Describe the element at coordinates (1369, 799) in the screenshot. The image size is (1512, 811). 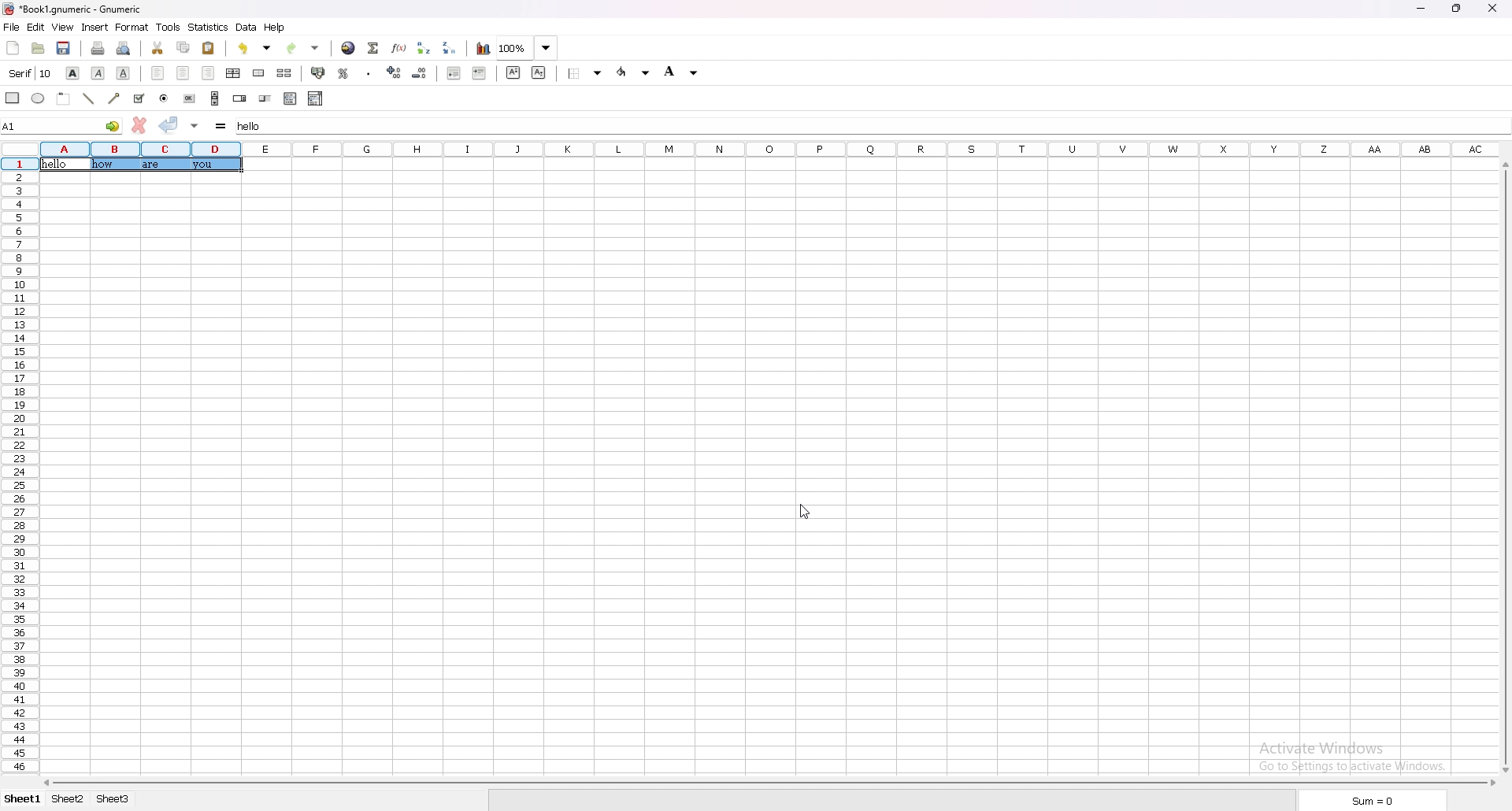
I see `sum` at that location.